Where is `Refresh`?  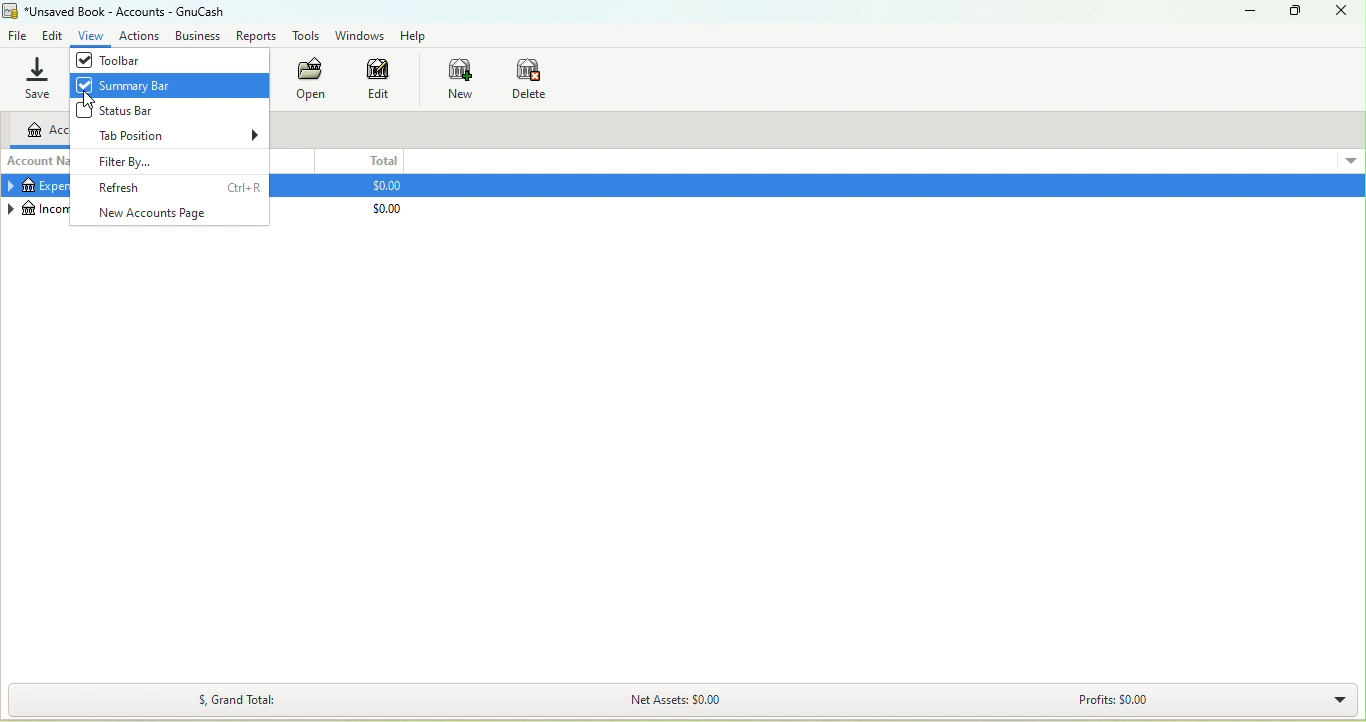
Refresh is located at coordinates (169, 188).